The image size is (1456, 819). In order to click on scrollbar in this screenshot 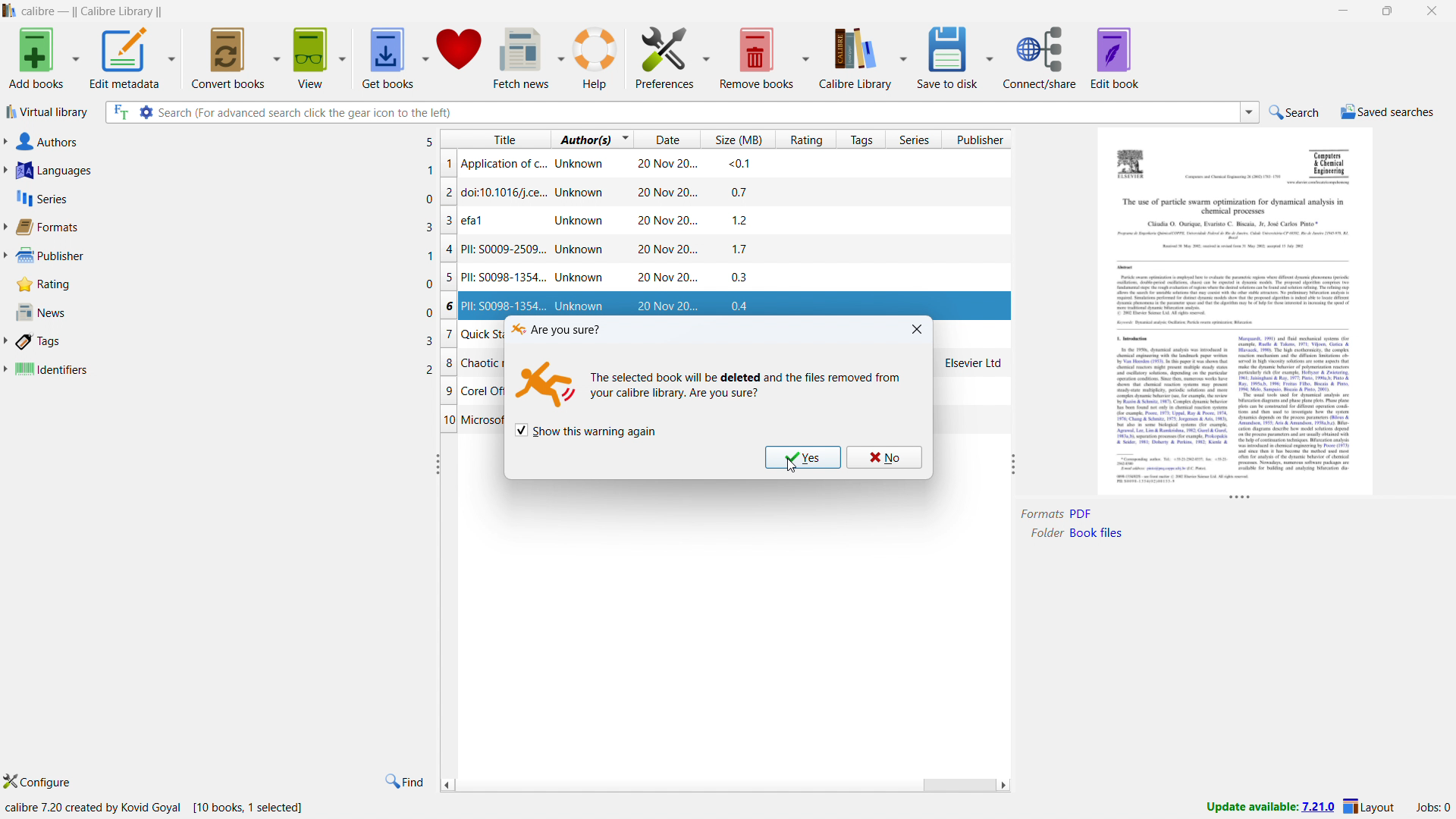, I will do `click(958, 786)`.